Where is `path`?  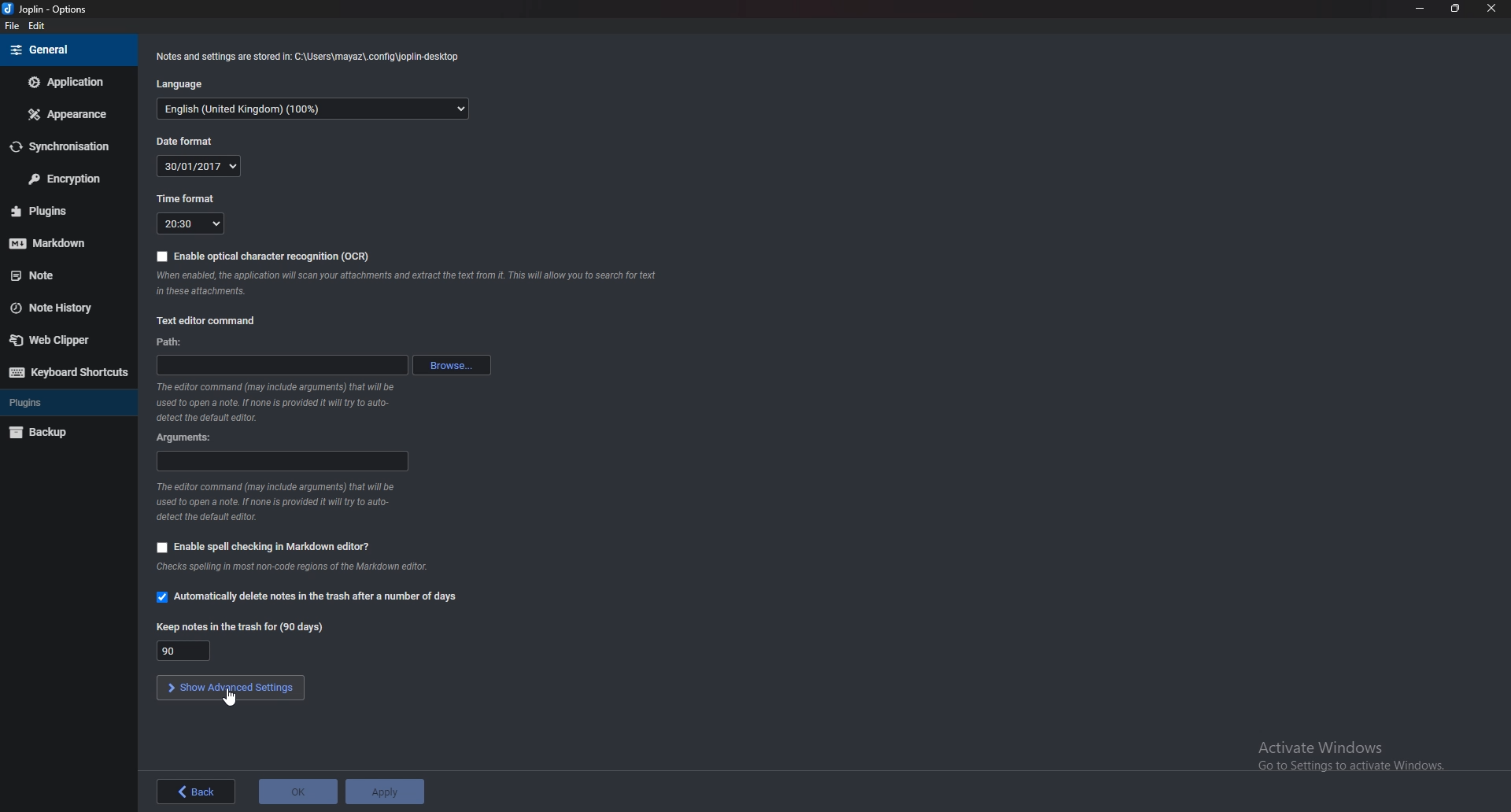 path is located at coordinates (177, 342).